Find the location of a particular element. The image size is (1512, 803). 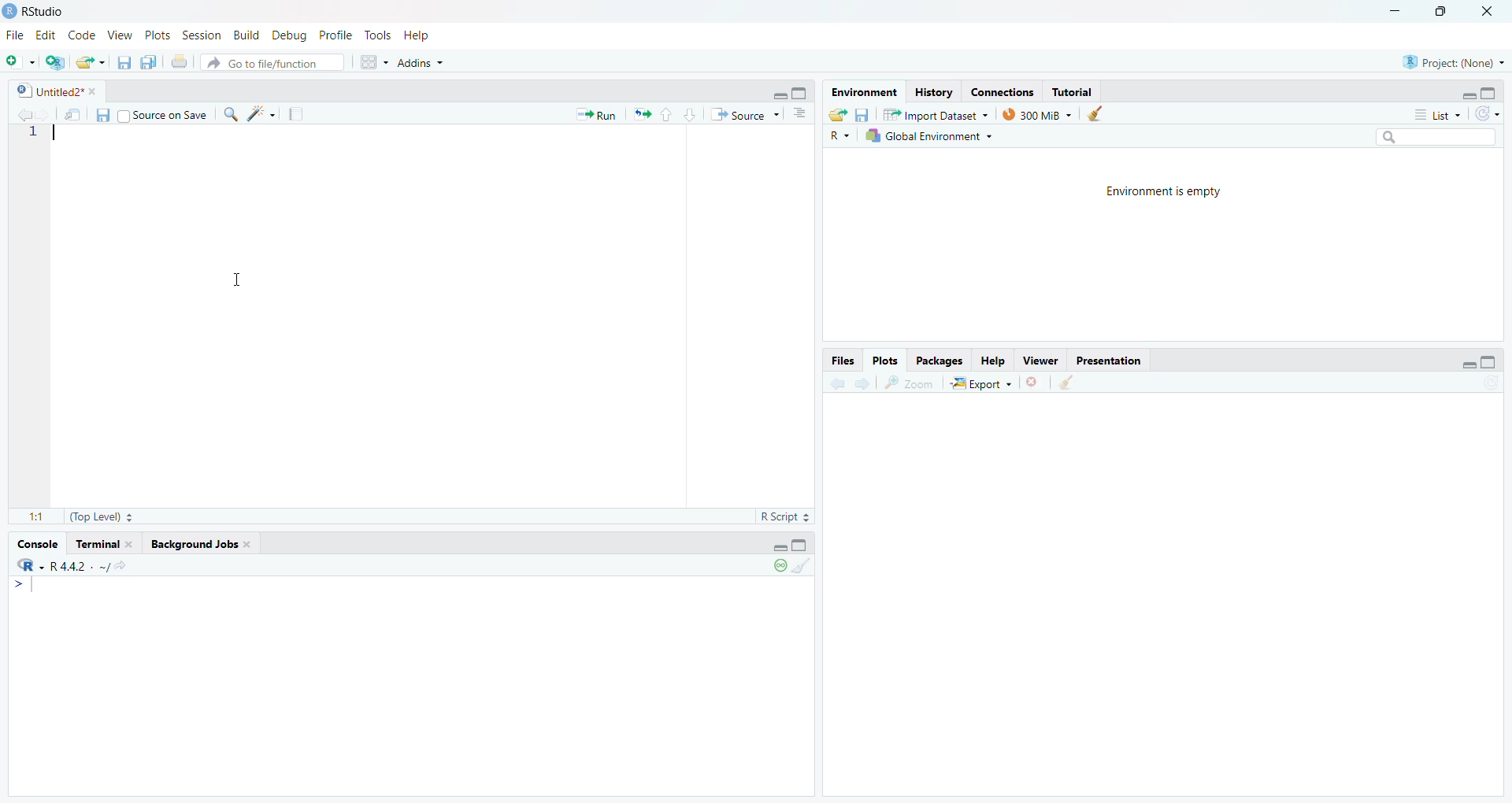

go back to the next source location is located at coordinates (43, 115).